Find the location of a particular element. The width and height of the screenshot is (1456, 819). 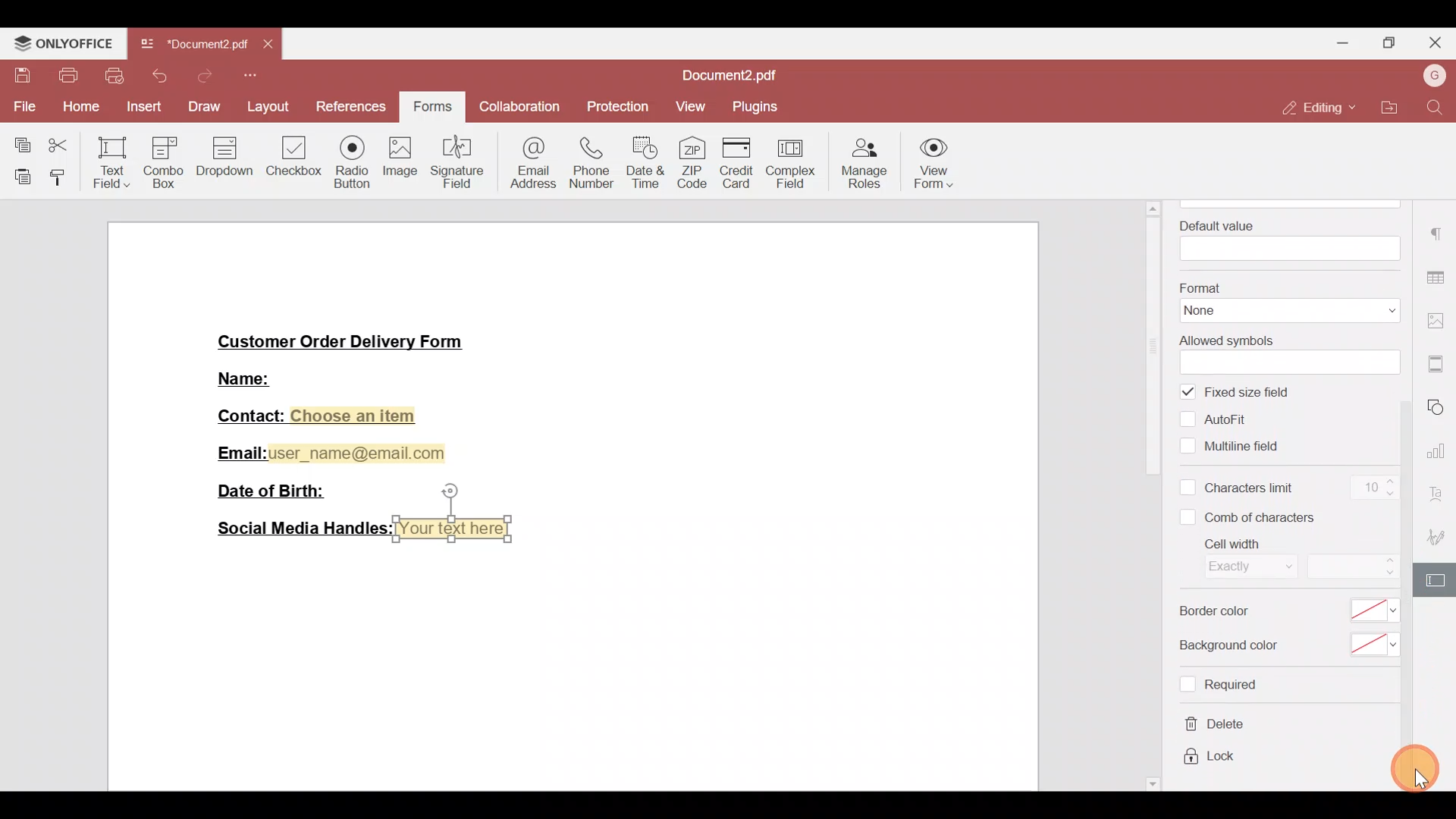

Email:user_name@email.com is located at coordinates (332, 450).